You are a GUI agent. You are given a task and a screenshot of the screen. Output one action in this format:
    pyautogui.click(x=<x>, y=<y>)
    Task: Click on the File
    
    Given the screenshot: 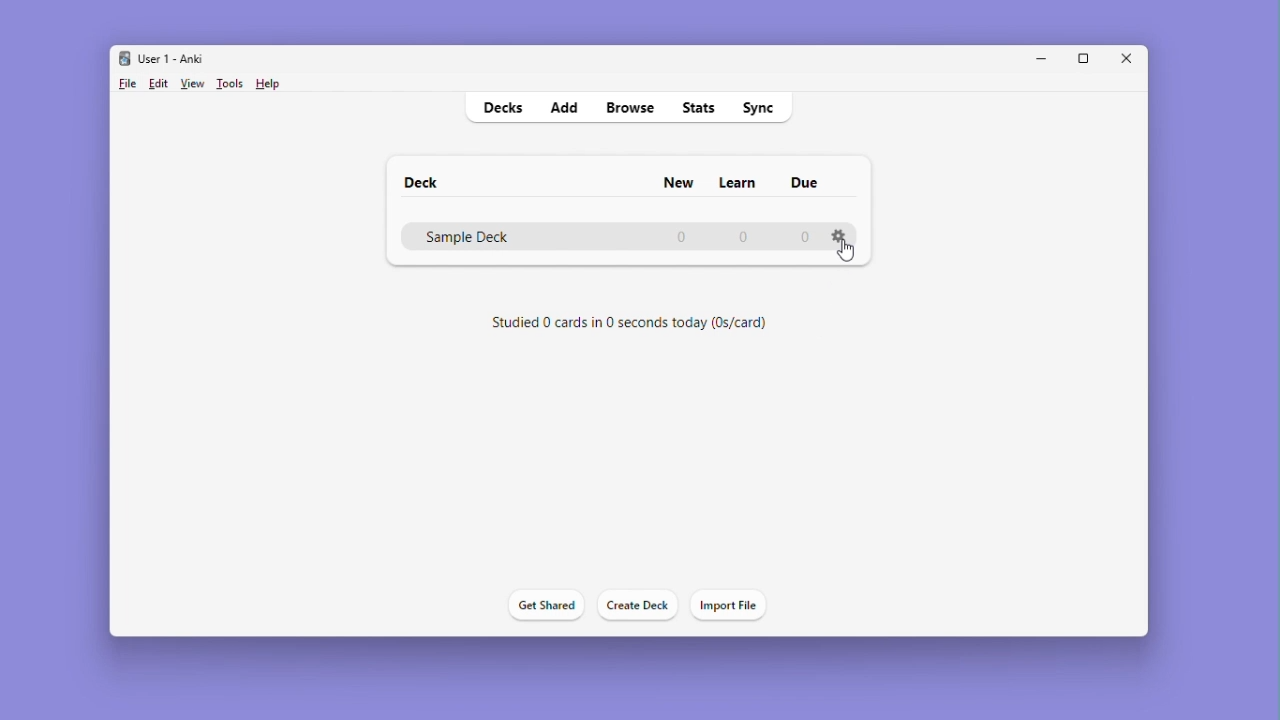 What is the action you would take?
    pyautogui.click(x=127, y=84)
    